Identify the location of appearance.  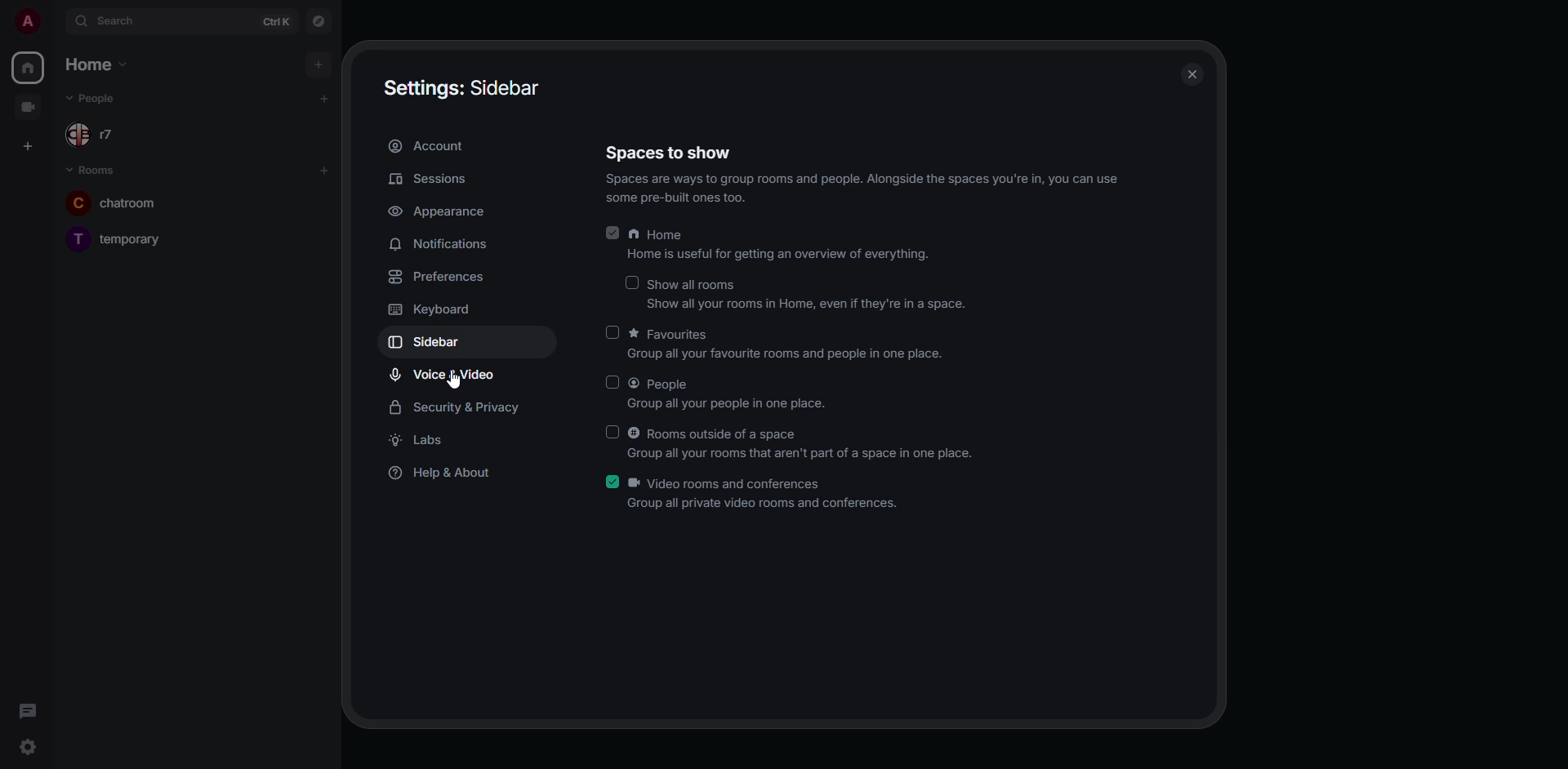
(438, 213).